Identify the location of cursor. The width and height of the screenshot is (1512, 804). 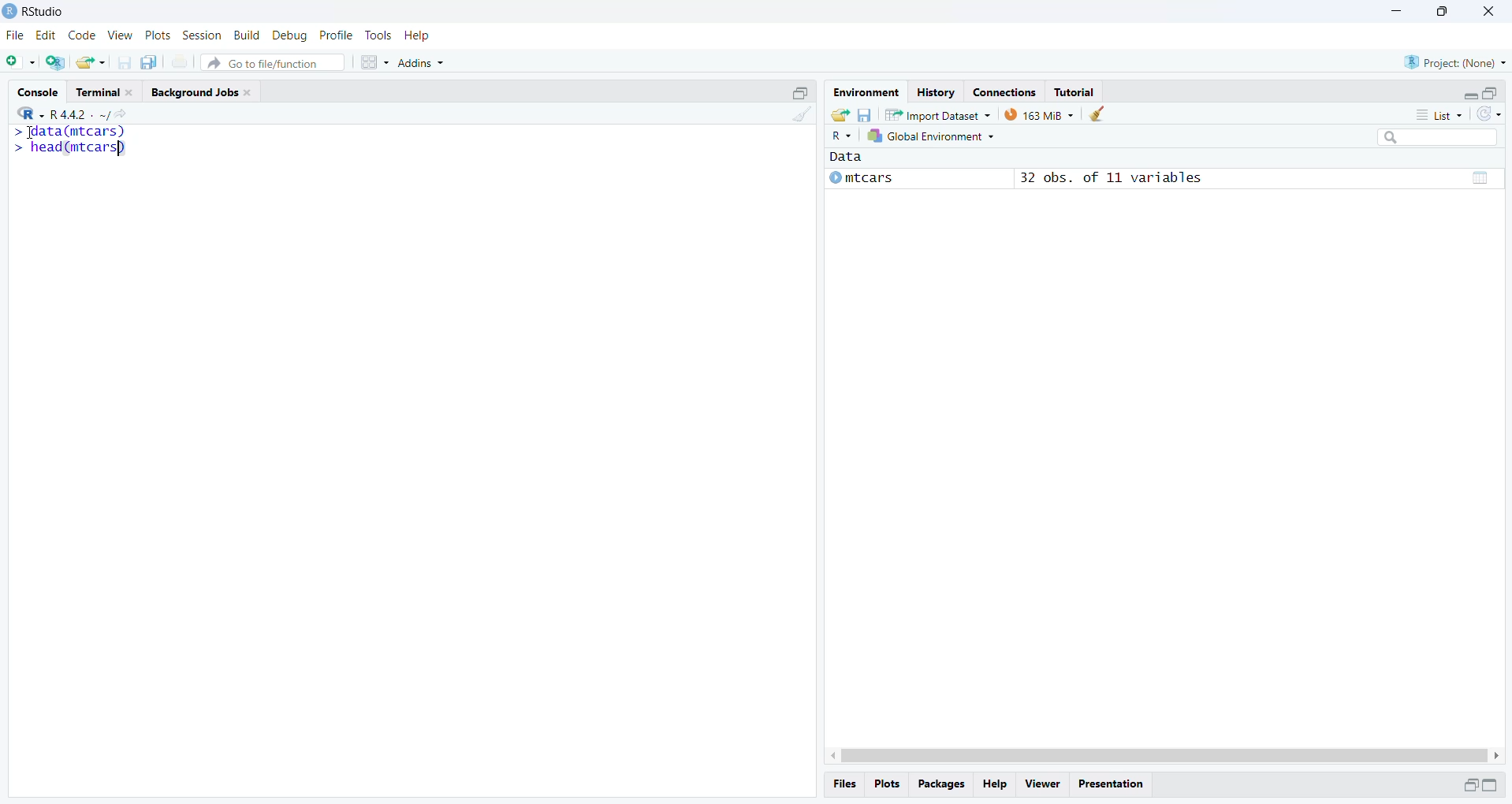
(32, 132).